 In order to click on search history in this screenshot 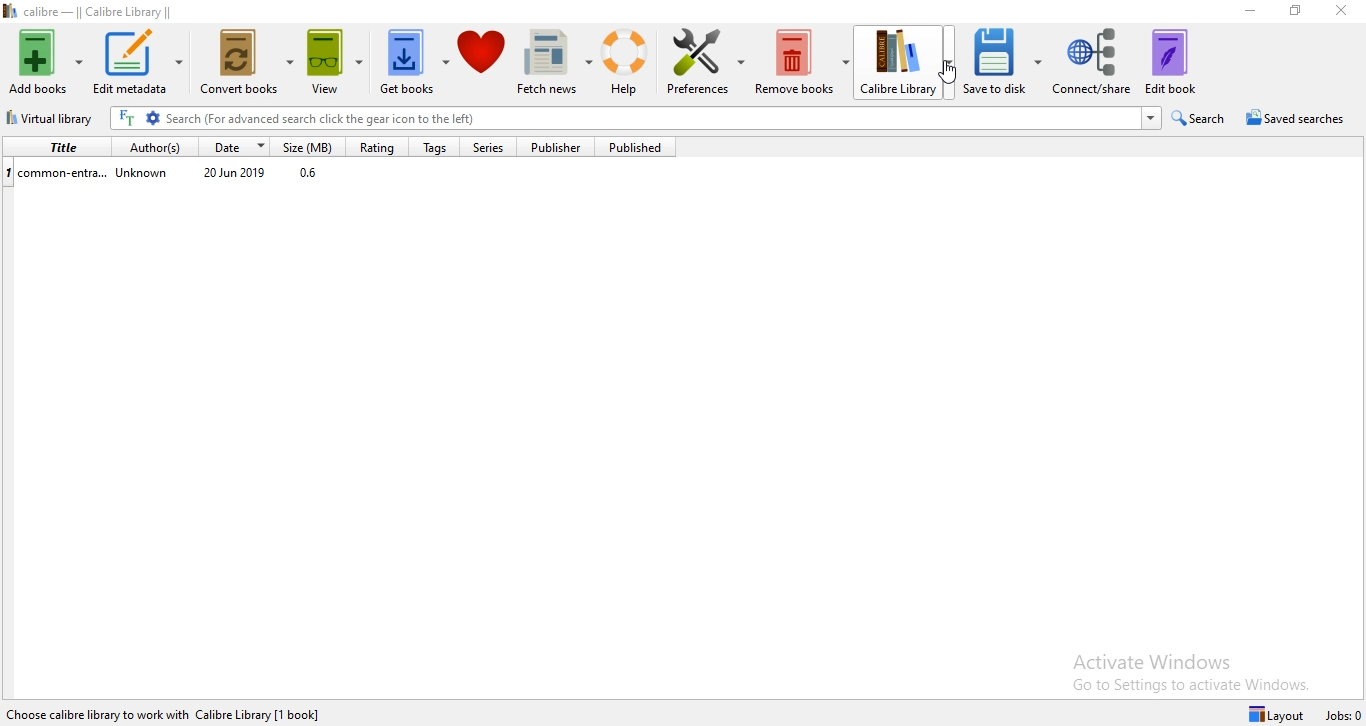, I will do `click(1151, 118)`.